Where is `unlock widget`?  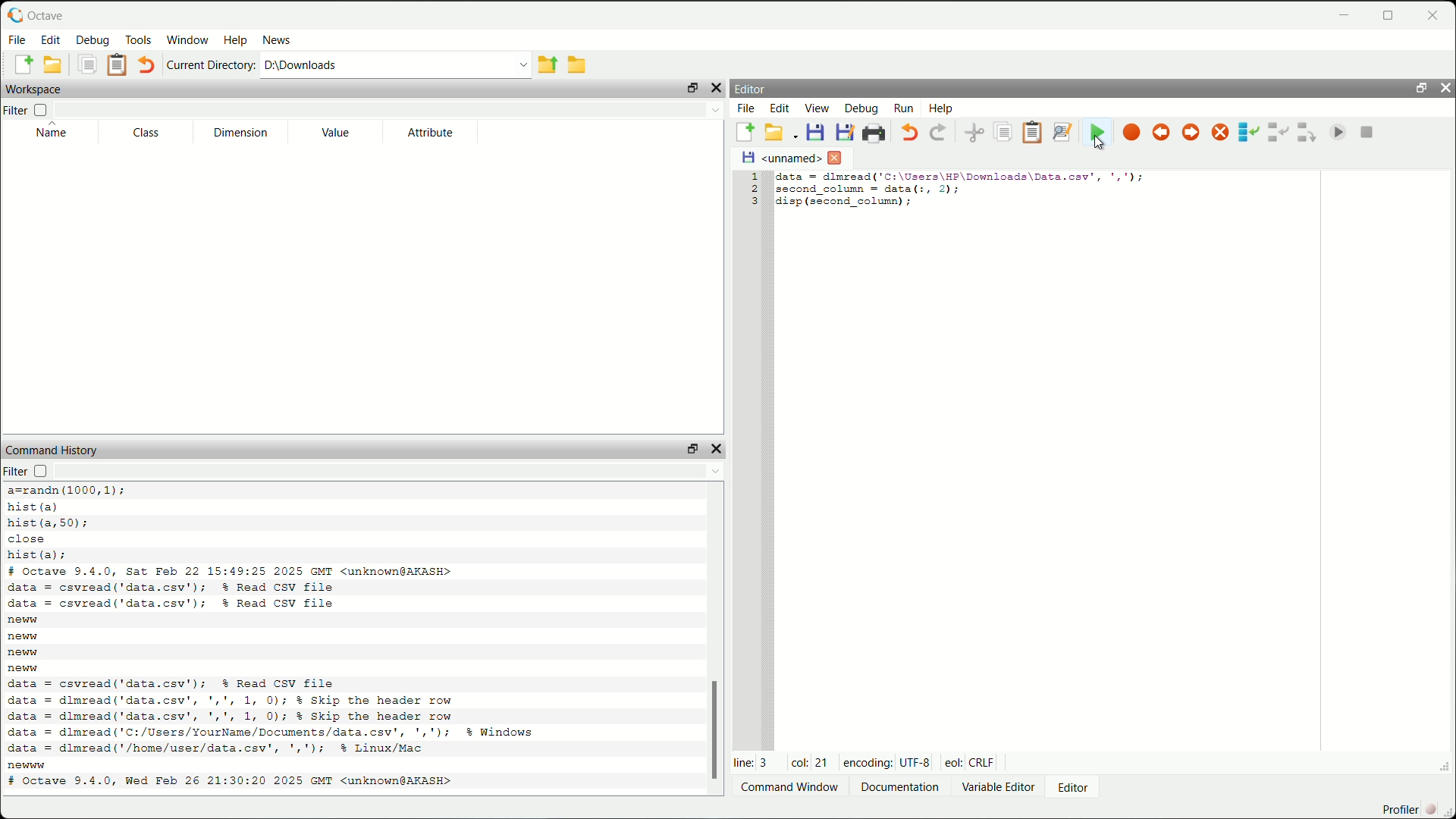 unlock widget is located at coordinates (693, 446).